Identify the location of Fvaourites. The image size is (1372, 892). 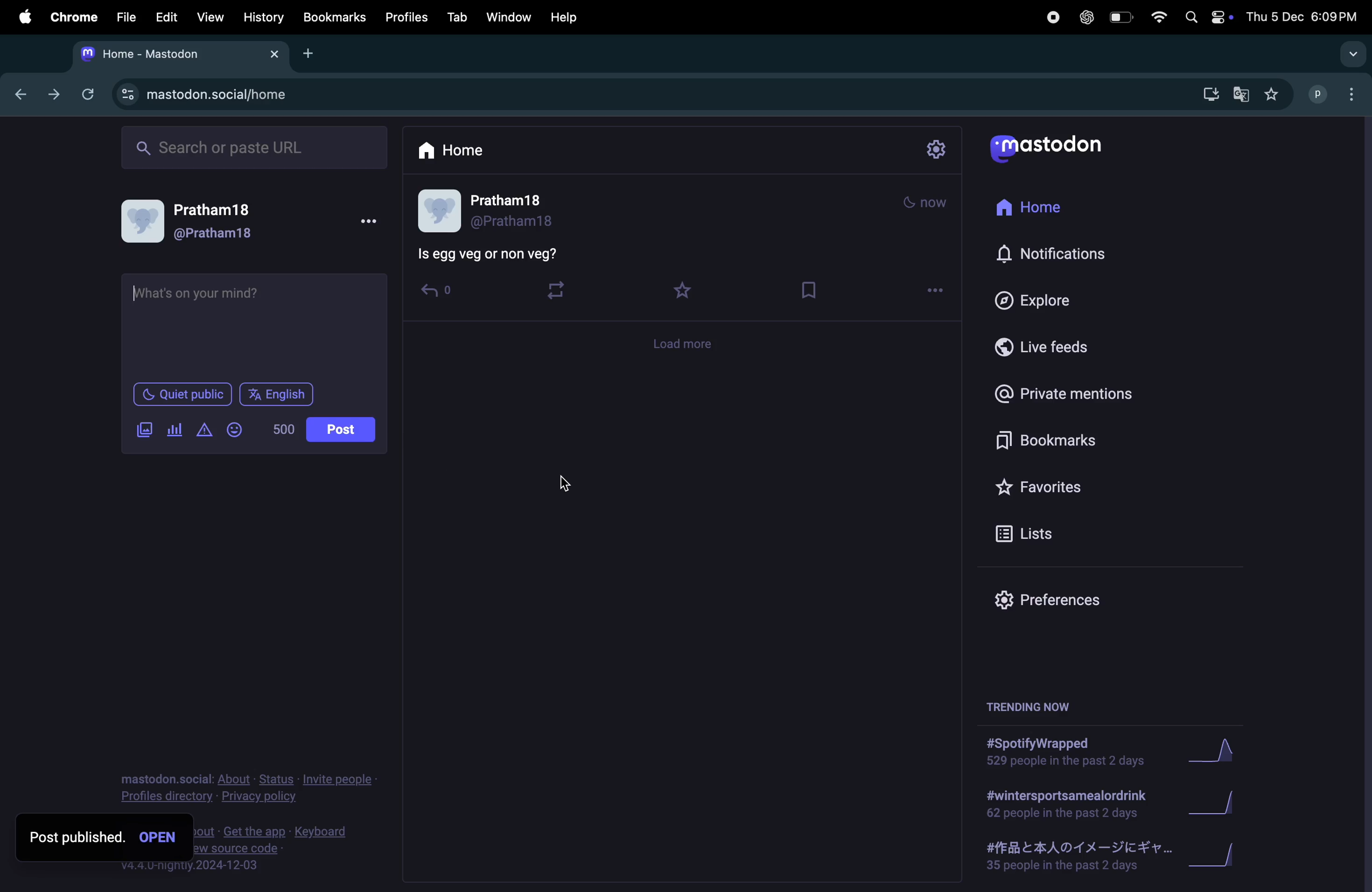
(1057, 487).